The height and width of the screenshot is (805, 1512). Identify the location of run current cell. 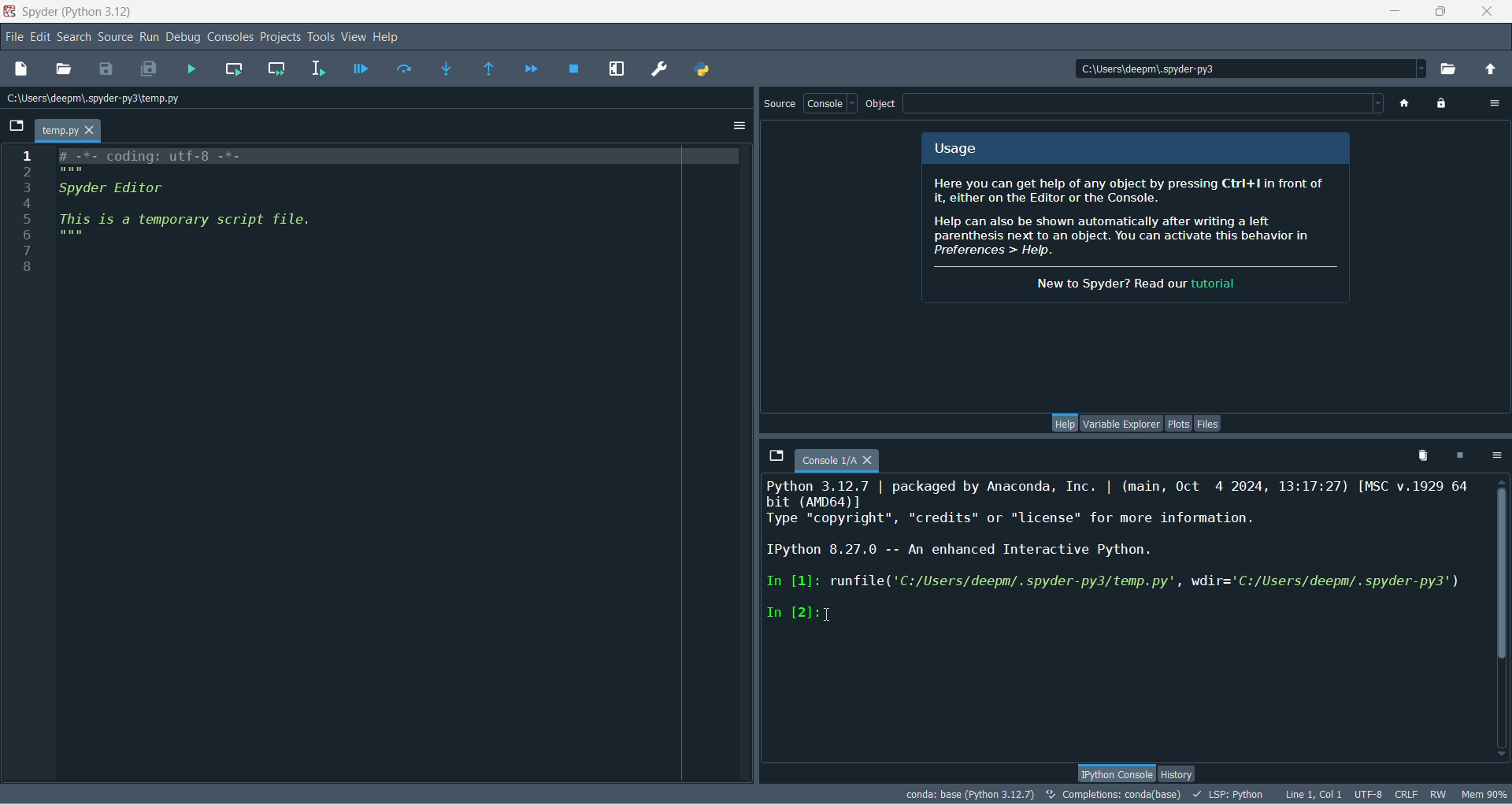
(233, 70).